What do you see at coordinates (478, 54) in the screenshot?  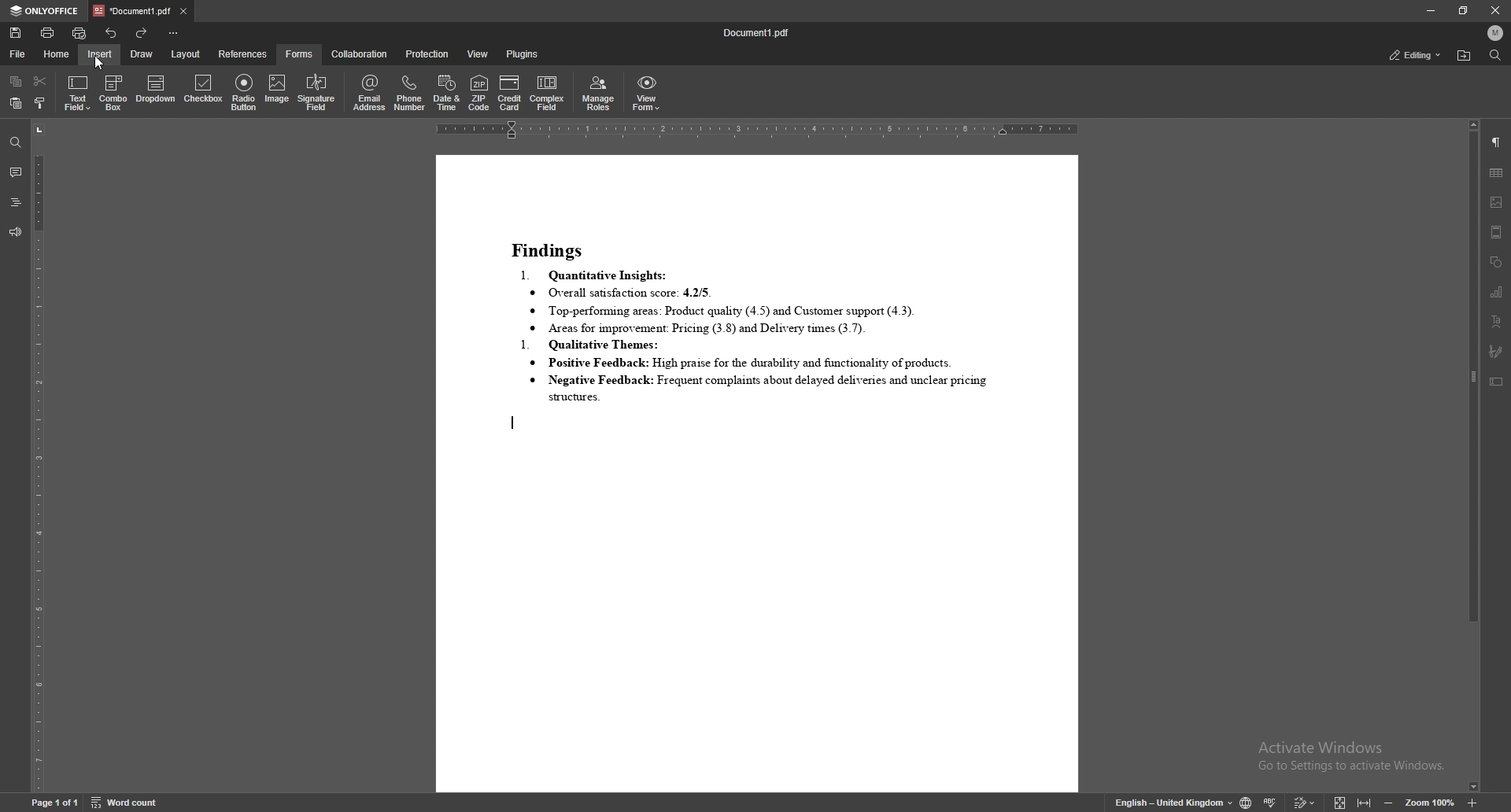 I see `view` at bounding box center [478, 54].